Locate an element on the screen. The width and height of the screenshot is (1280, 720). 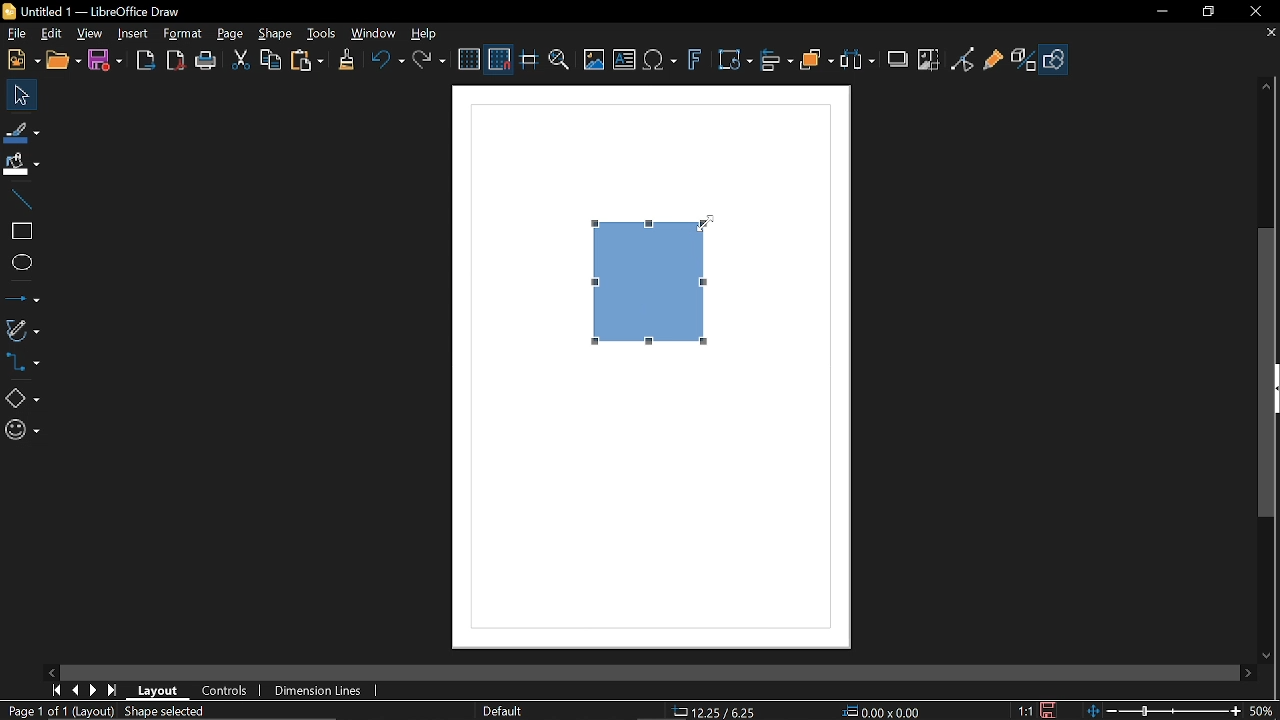
export is located at coordinates (147, 60).